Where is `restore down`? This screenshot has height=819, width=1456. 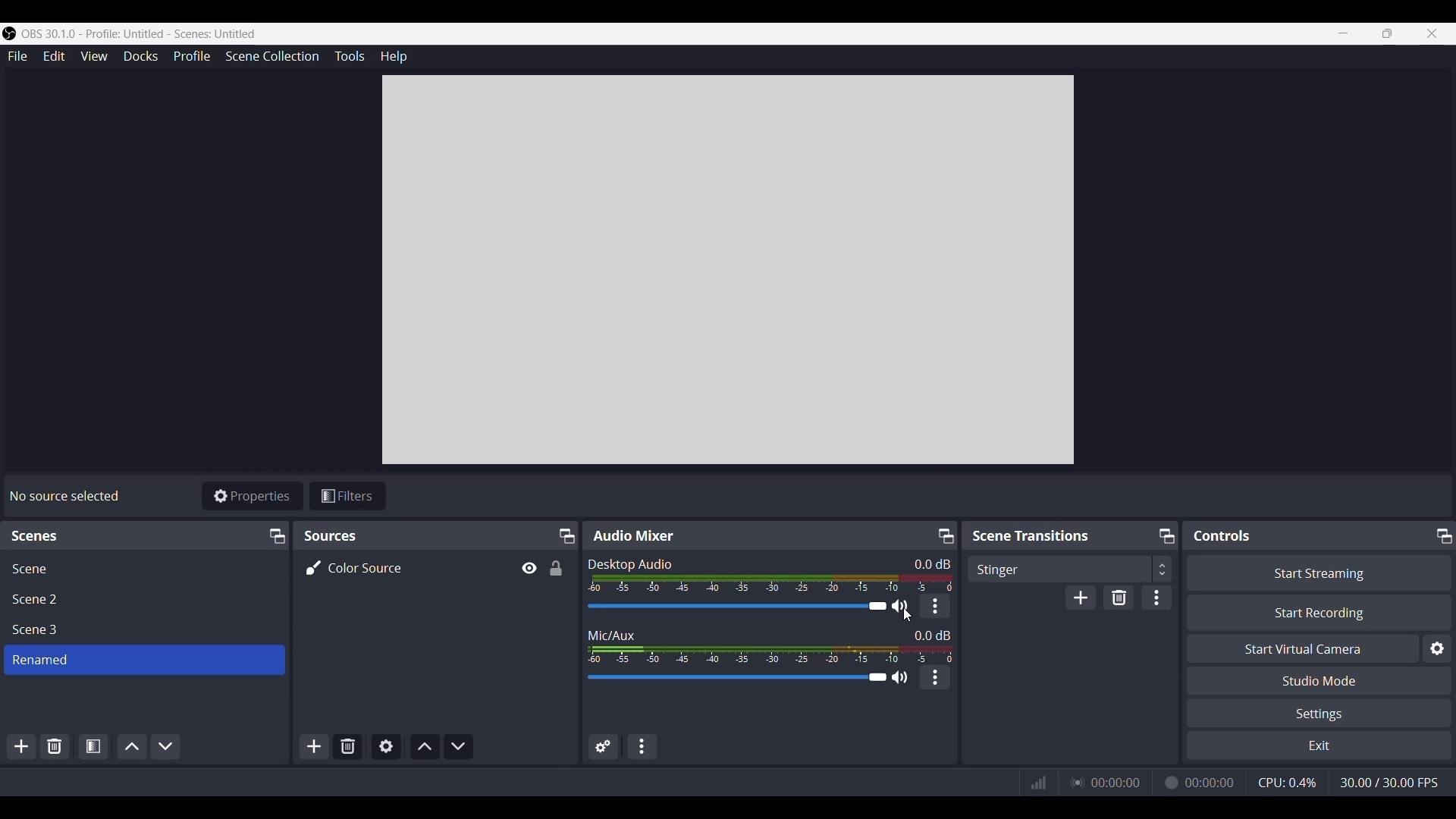
restore down is located at coordinates (1387, 33).